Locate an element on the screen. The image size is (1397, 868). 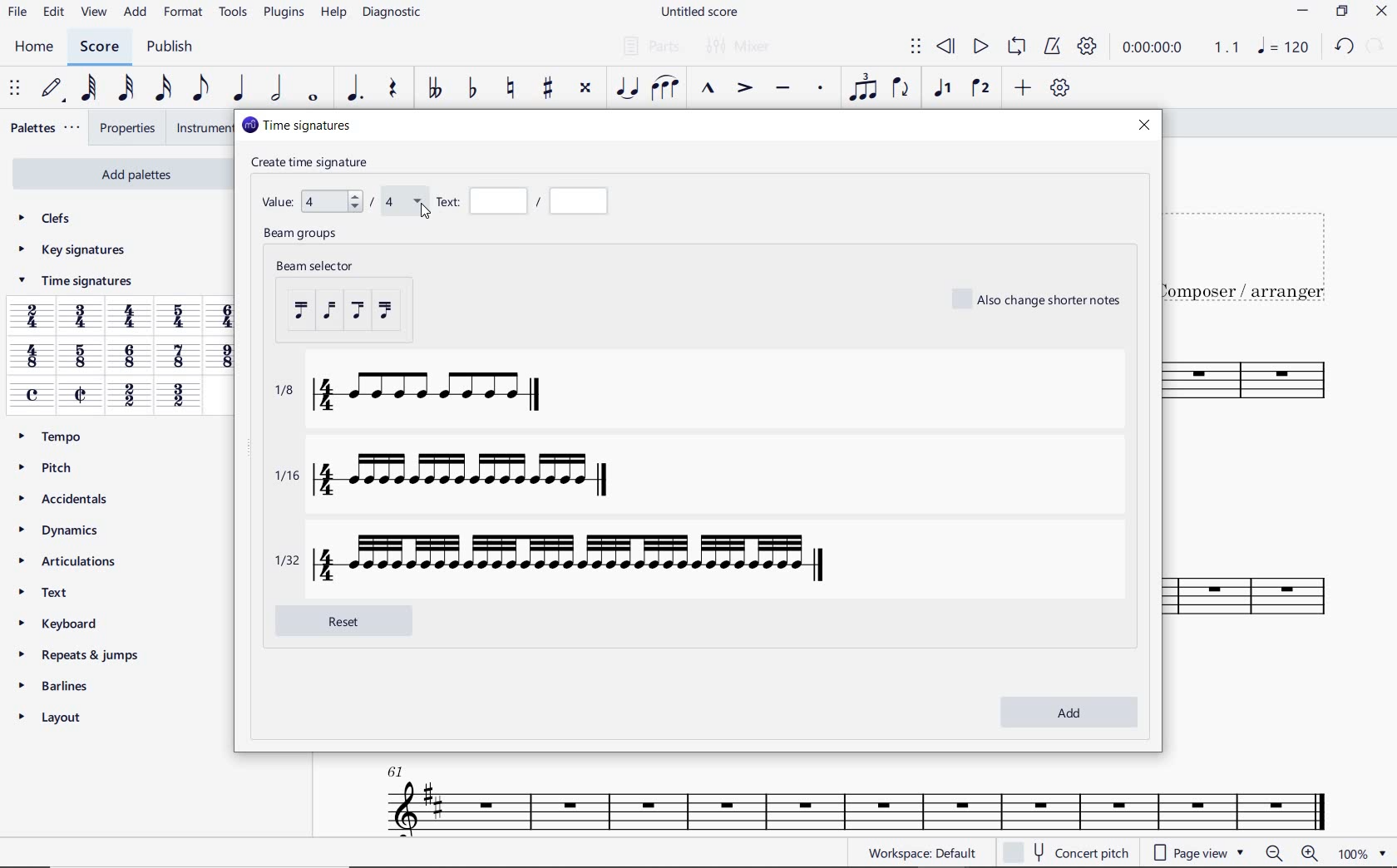
ACCIDENTALS is located at coordinates (65, 496).